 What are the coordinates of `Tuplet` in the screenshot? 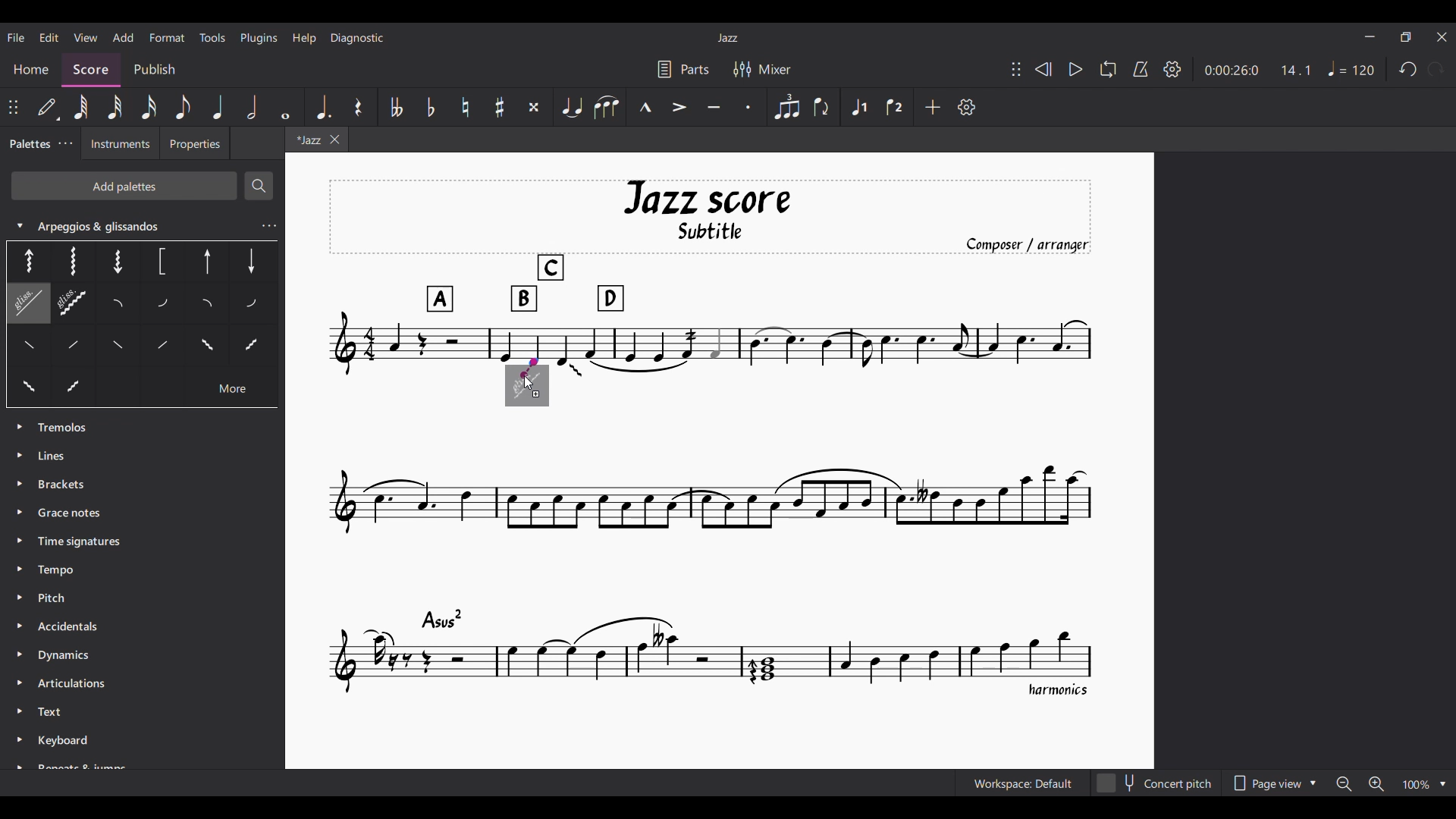 It's located at (787, 108).